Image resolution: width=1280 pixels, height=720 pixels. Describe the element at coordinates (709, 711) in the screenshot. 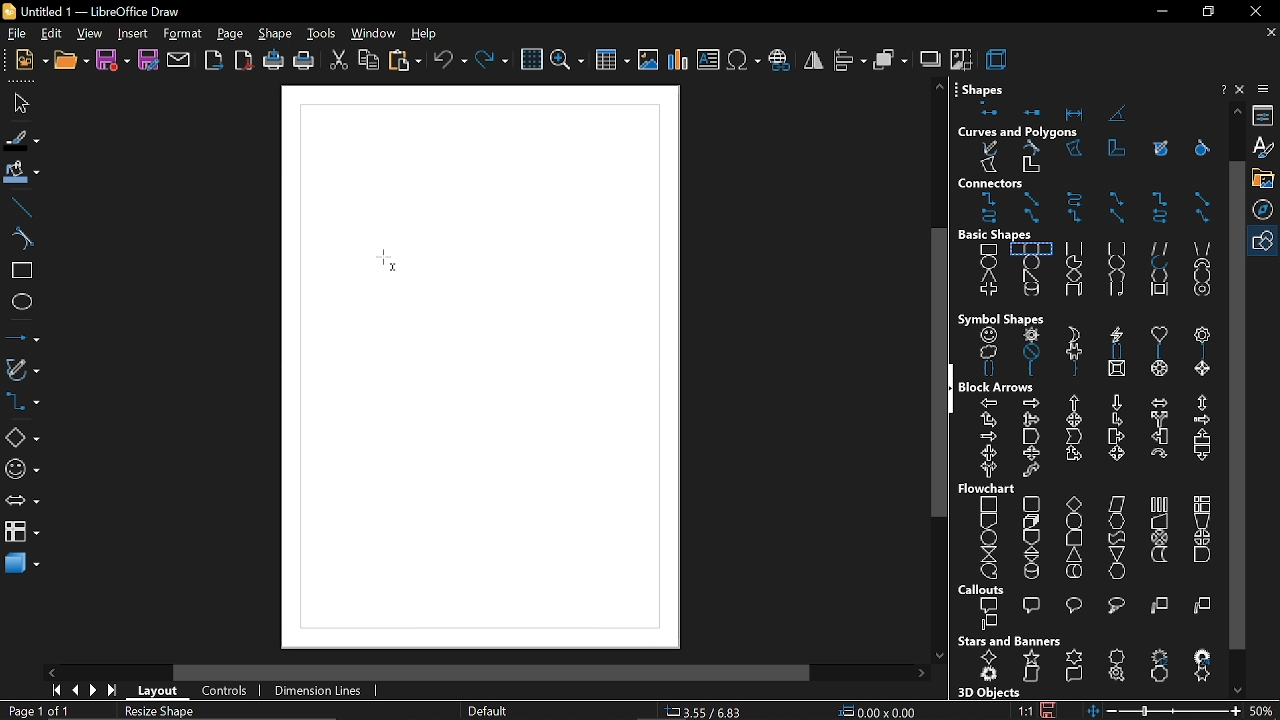

I see `co-ordinate` at that location.